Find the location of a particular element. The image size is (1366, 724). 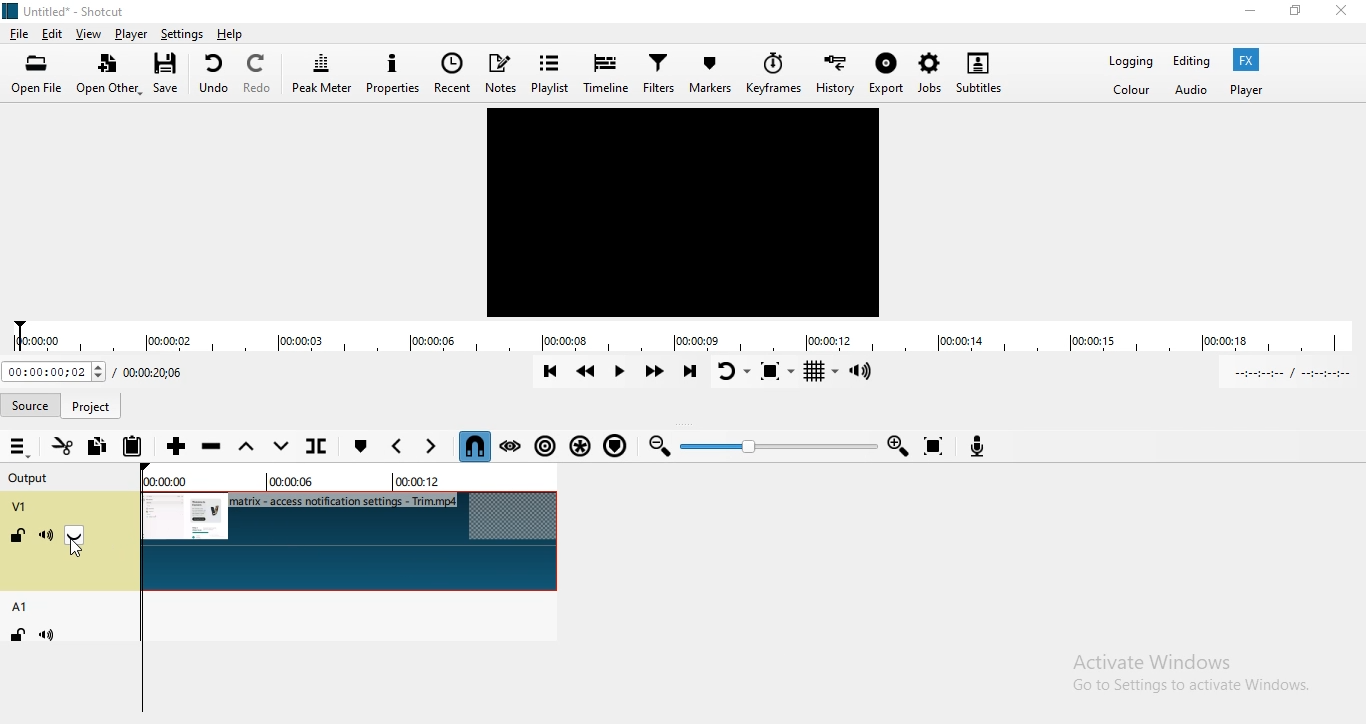

Next marker is located at coordinates (431, 446).